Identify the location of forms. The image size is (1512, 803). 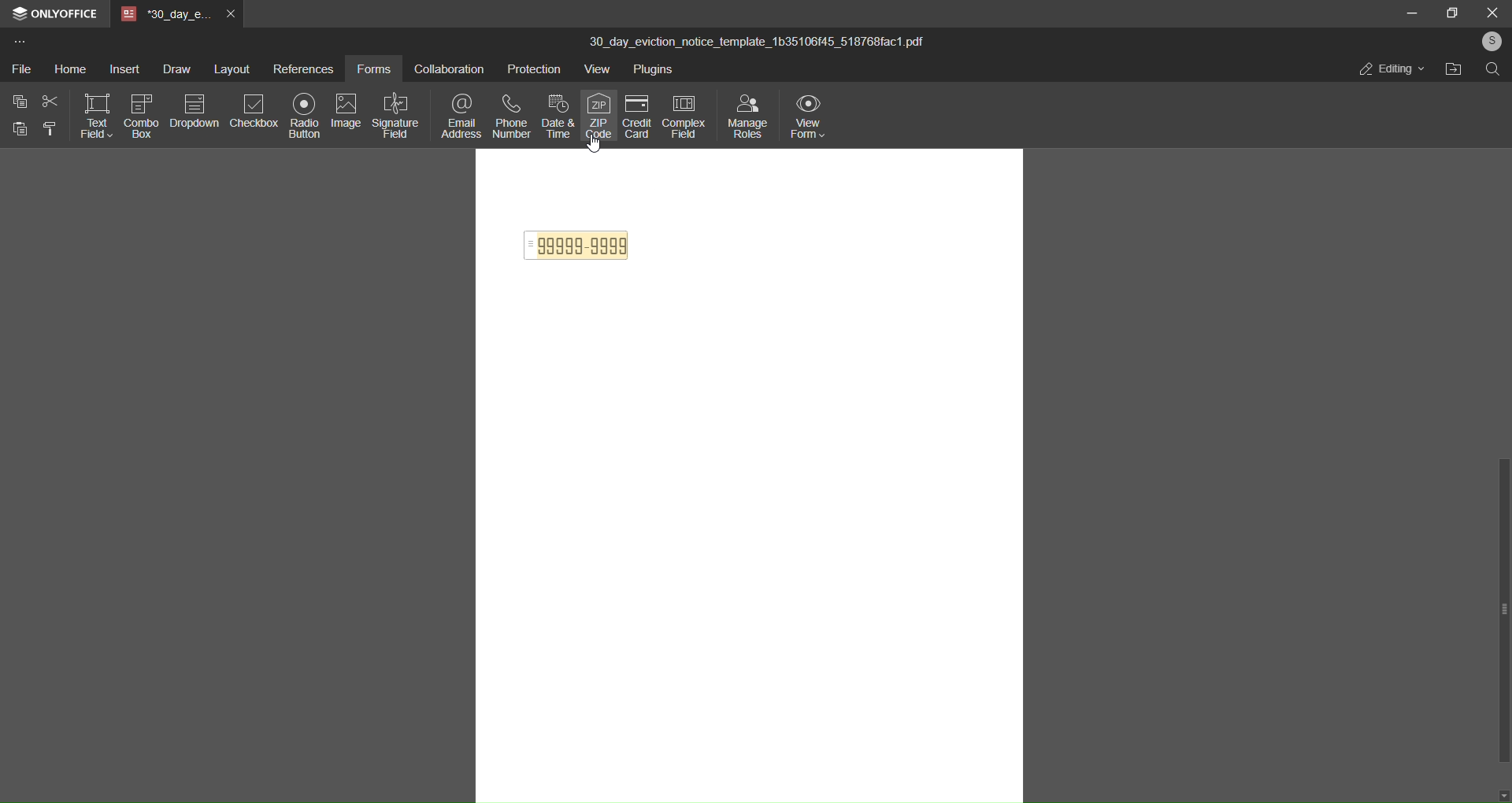
(372, 68).